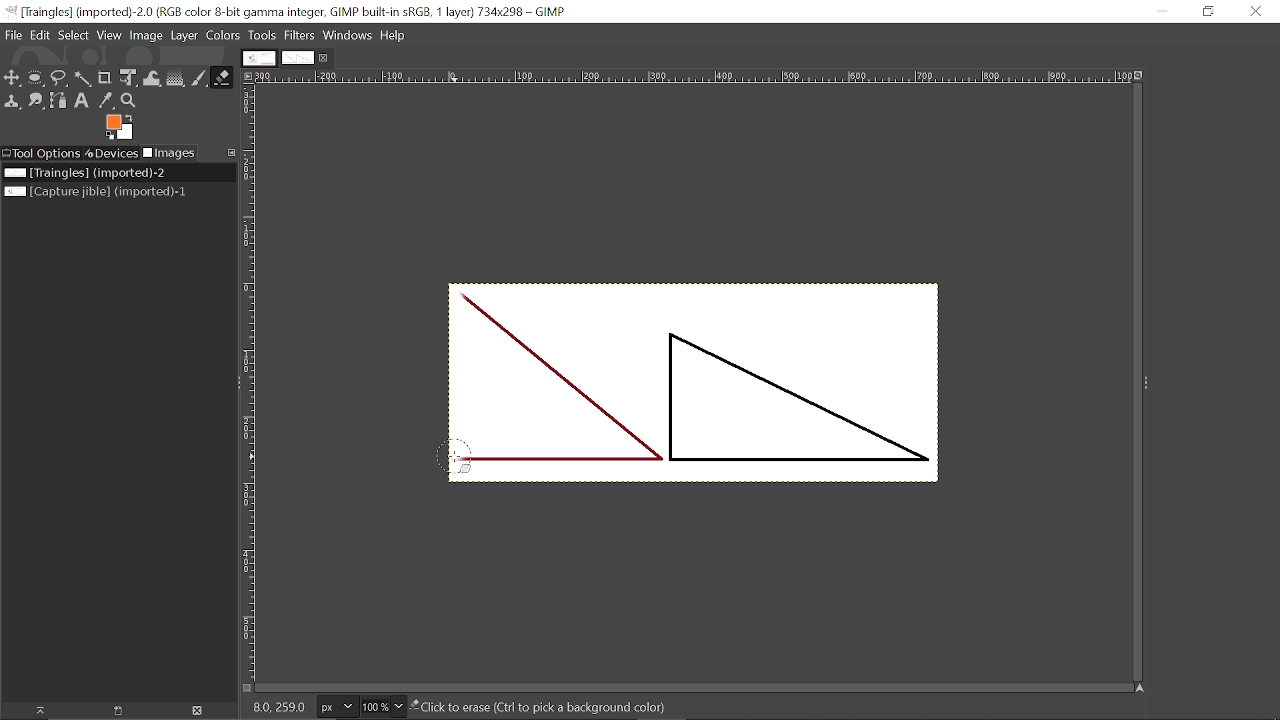  What do you see at coordinates (58, 79) in the screenshot?
I see `Free select tool` at bounding box center [58, 79].